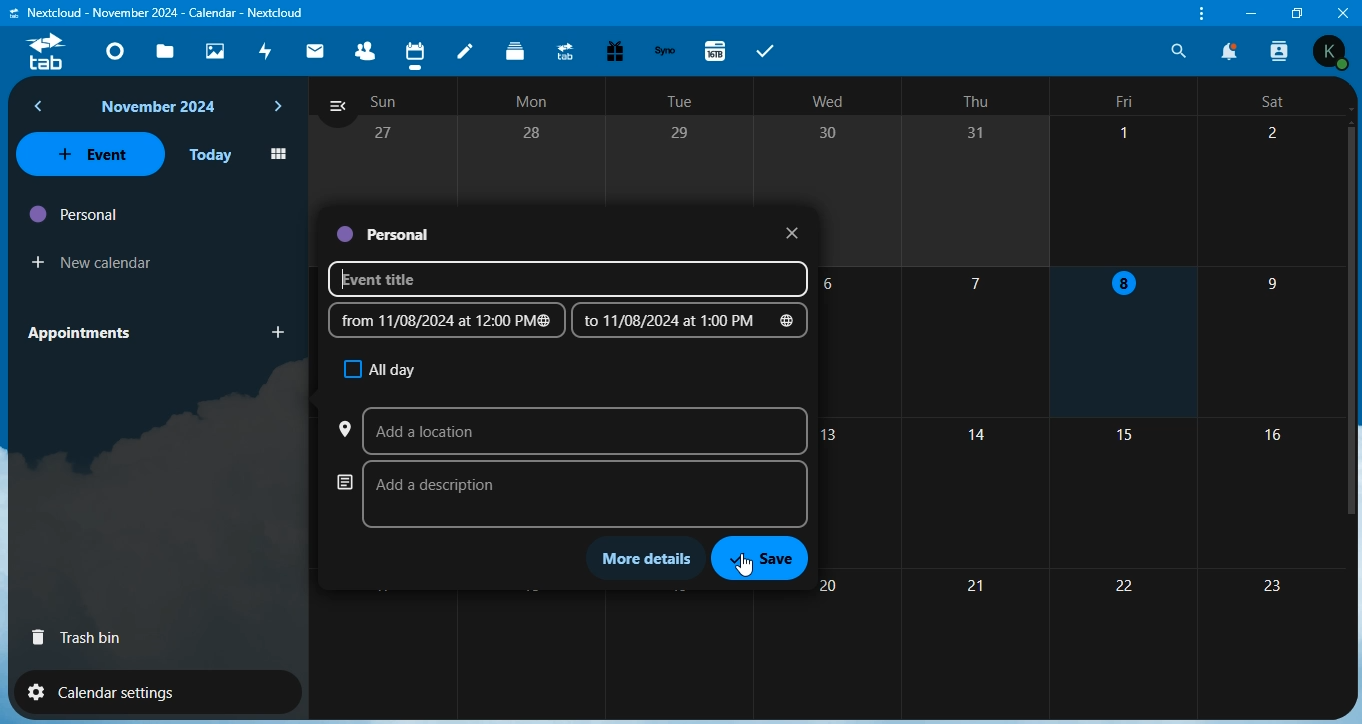  I want to click on personal, so click(385, 234).